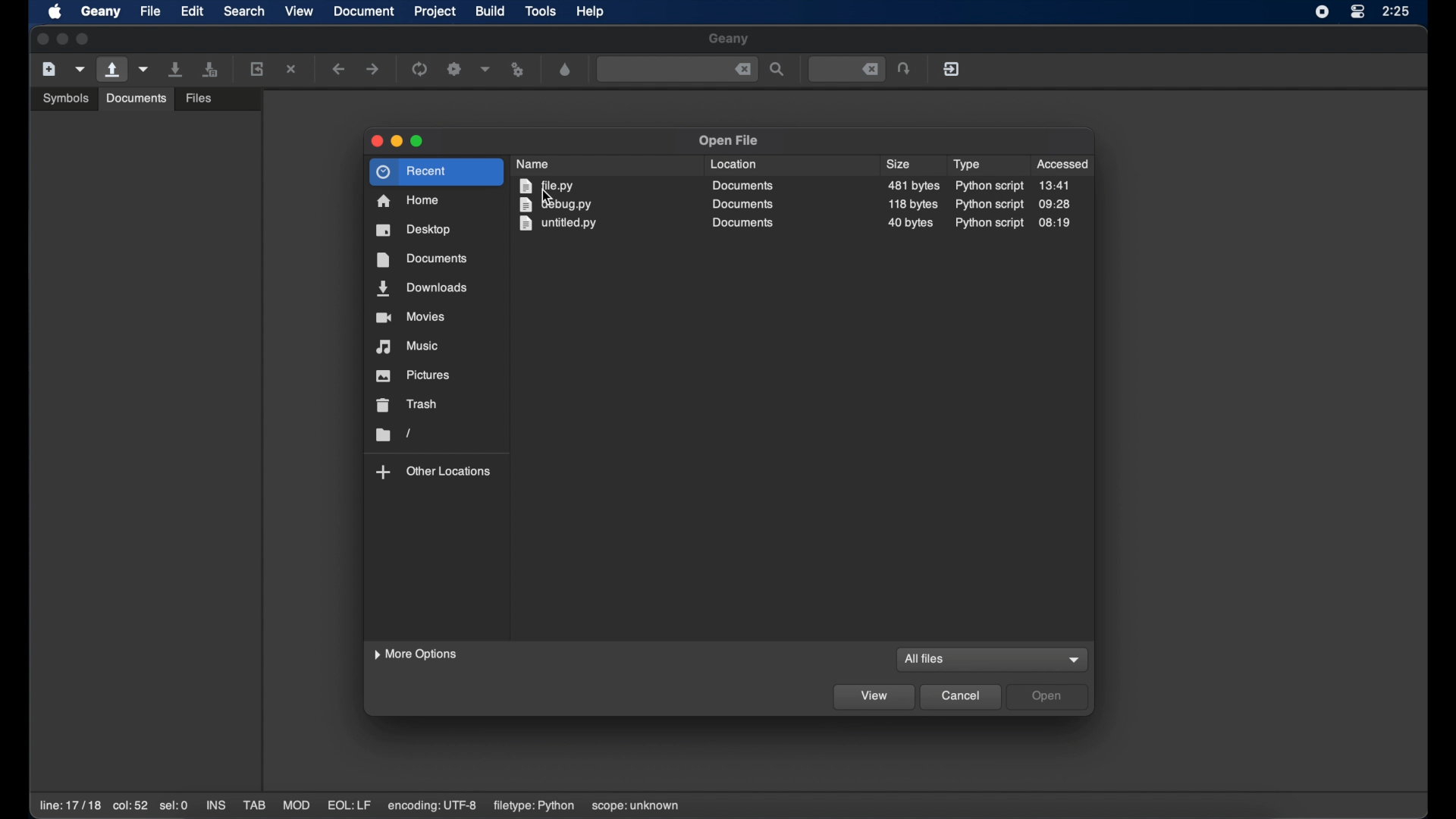 Image resolution: width=1456 pixels, height=819 pixels. What do you see at coordinates (55, 12) in the screenshot?
I see `apple icon` at bounding box center [55, 12].